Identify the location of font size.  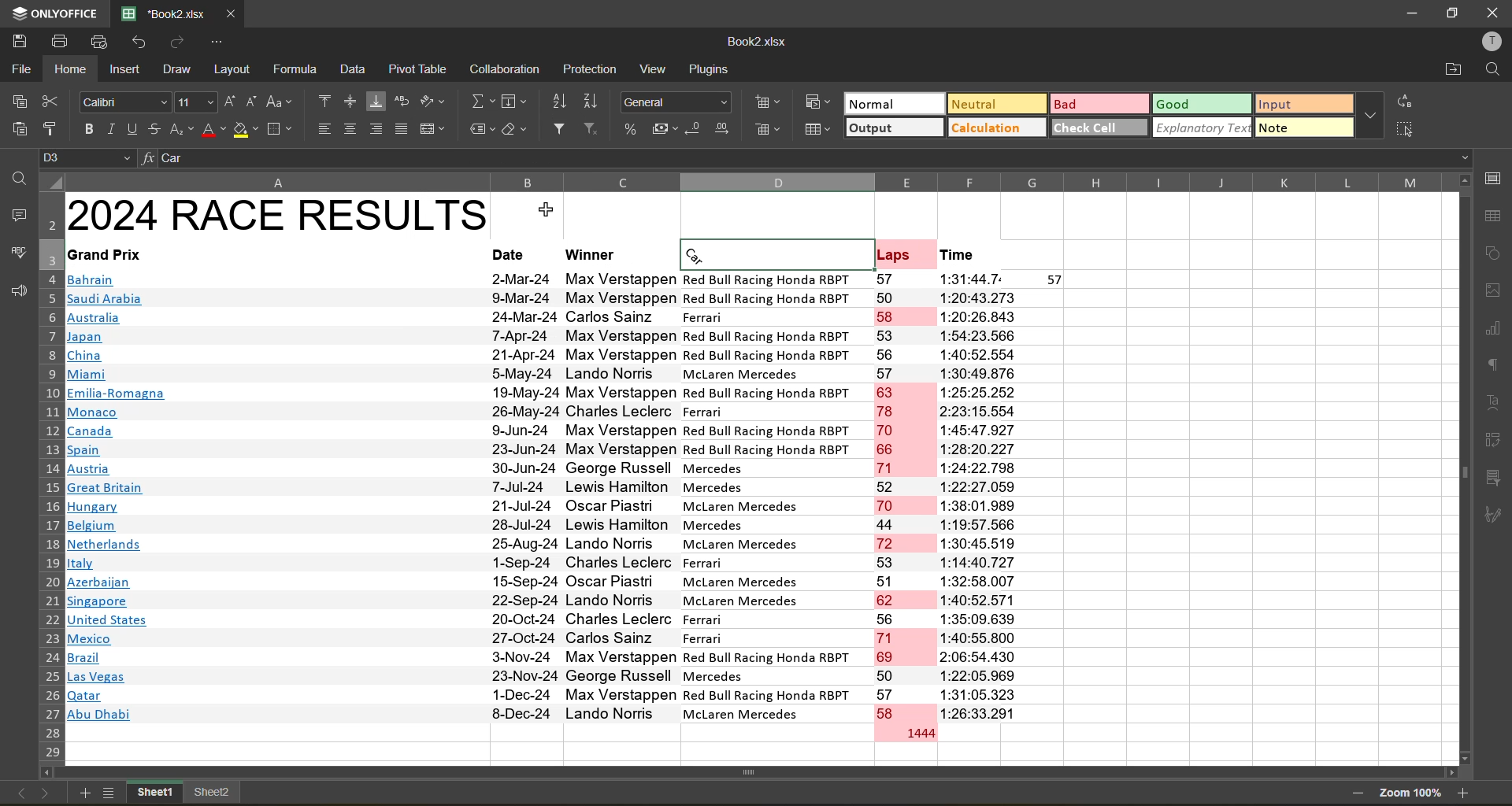
(195, 102).